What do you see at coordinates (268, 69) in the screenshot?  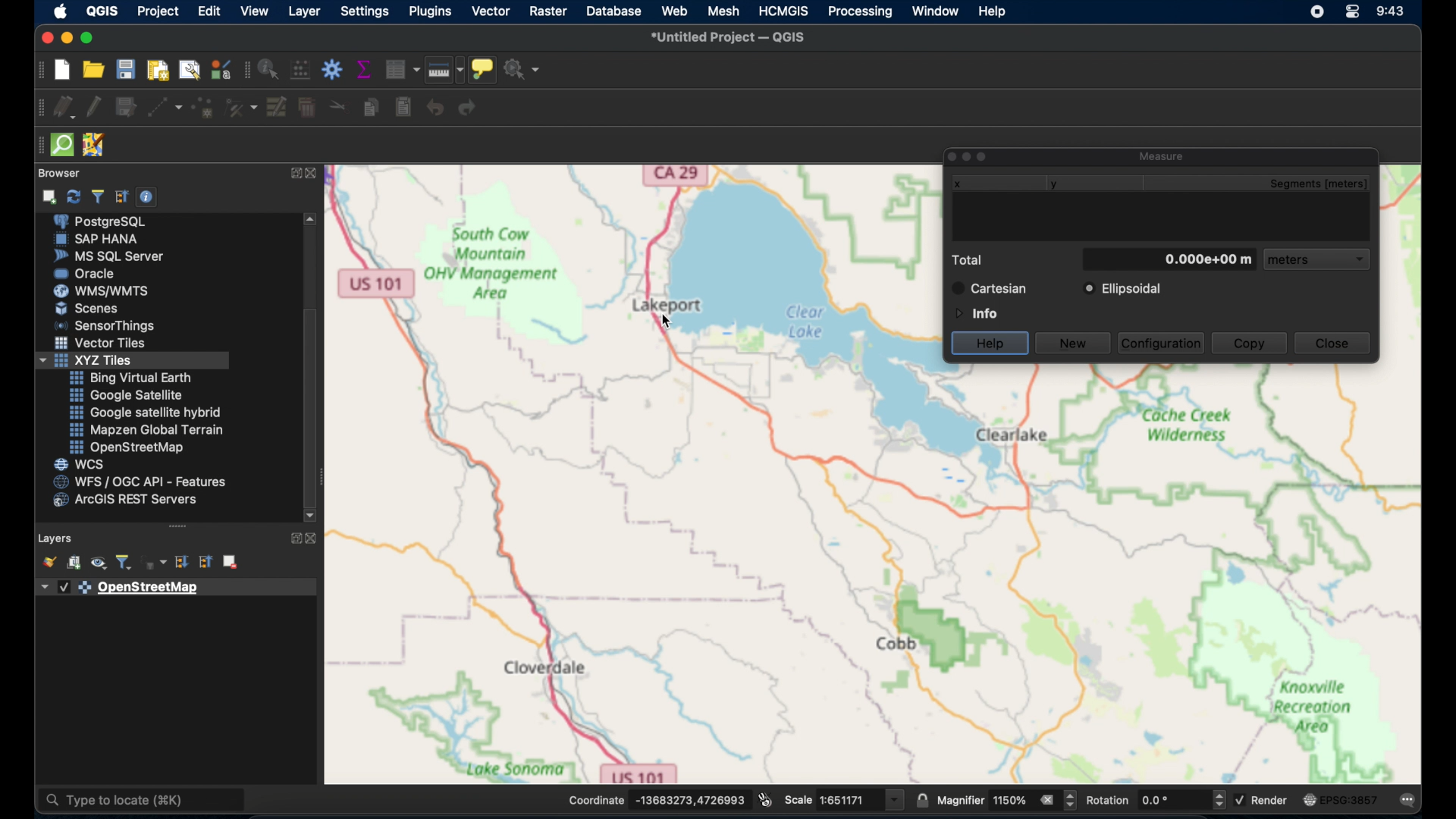 I see `identify feature` at bounding box center [268, 69].